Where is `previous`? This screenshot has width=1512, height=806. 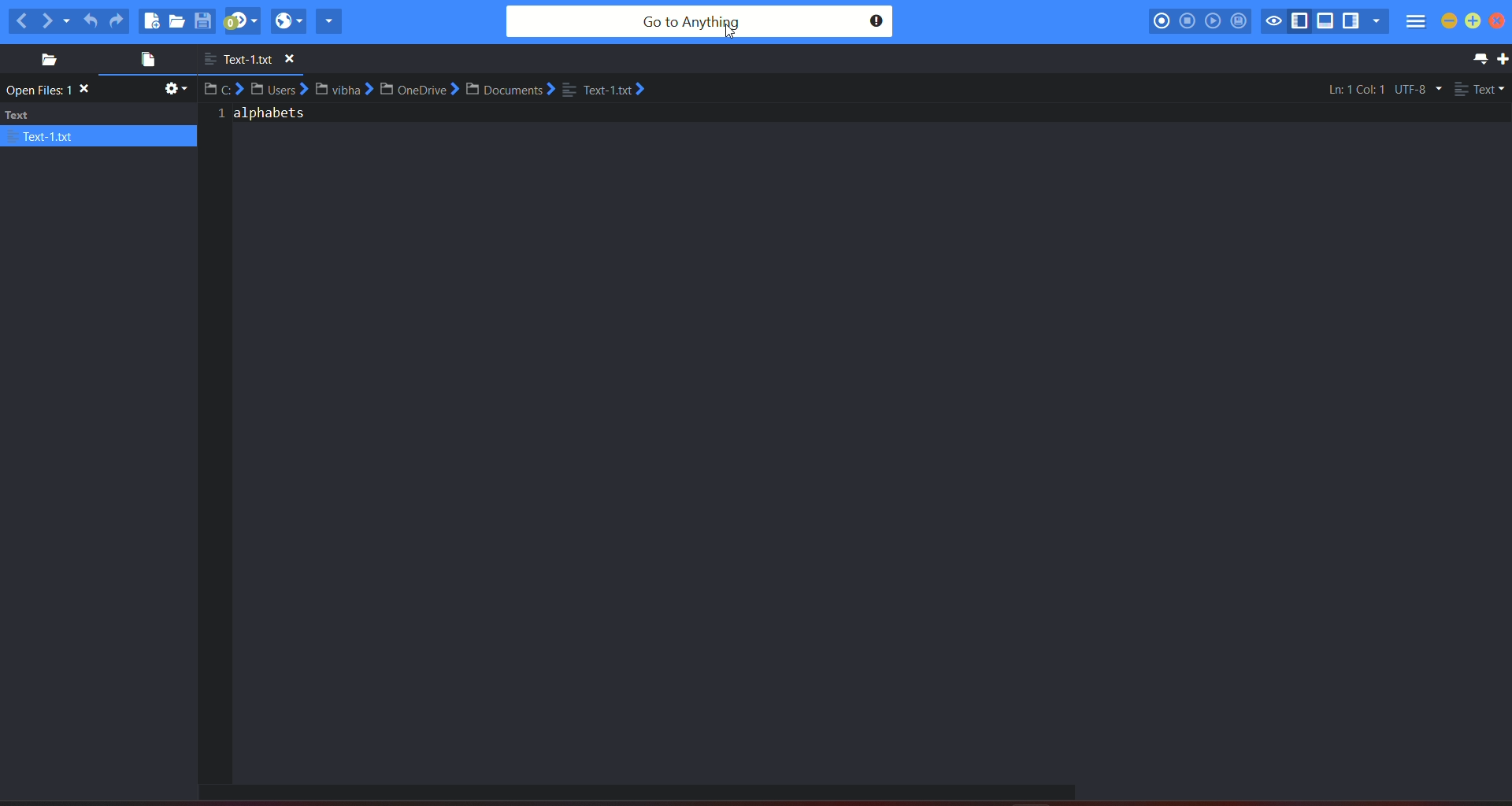
previous is located at coordinates (20, 20).